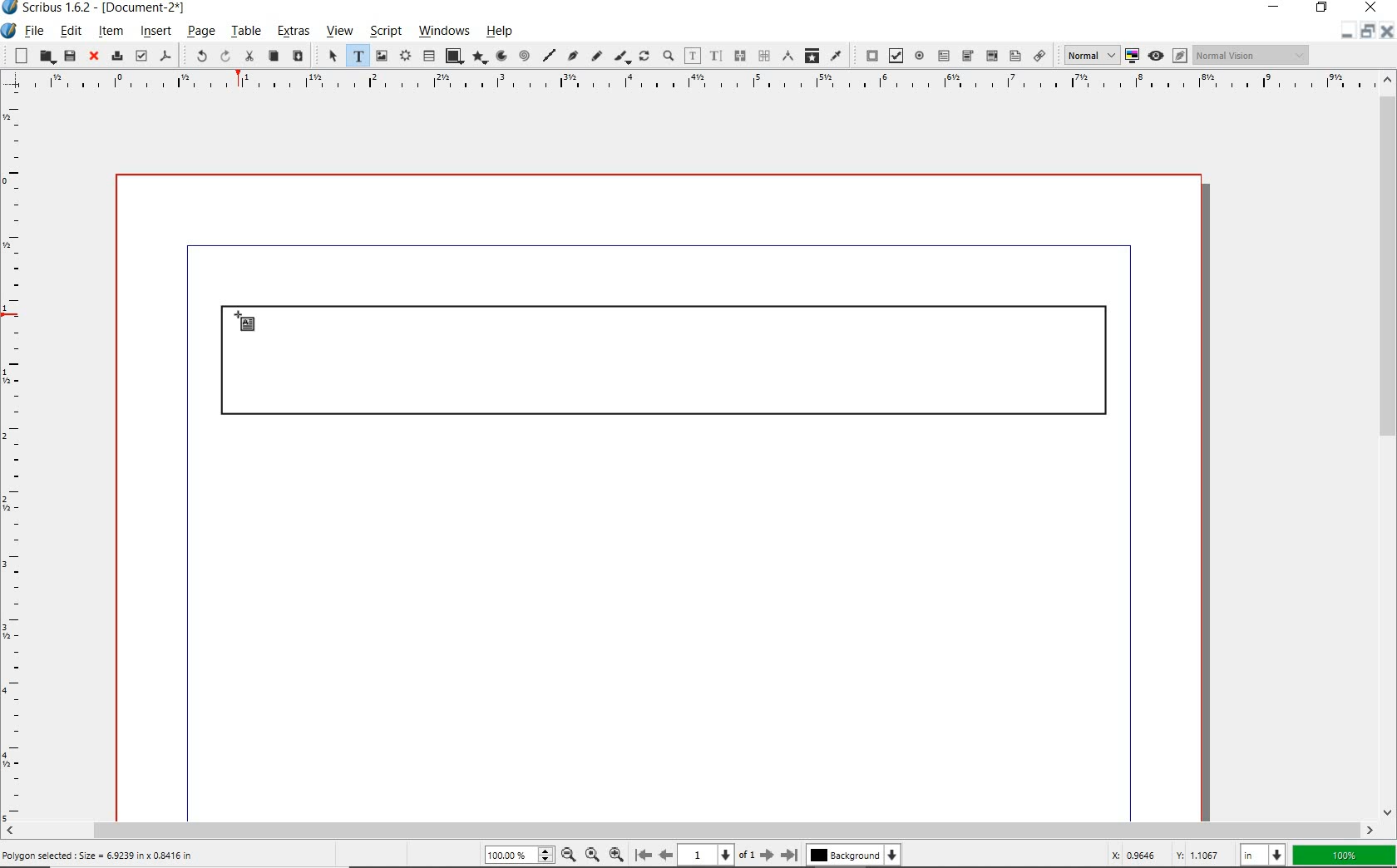 This screenshot has height=868, width=1397. I want to click on line, so click(550, 55).